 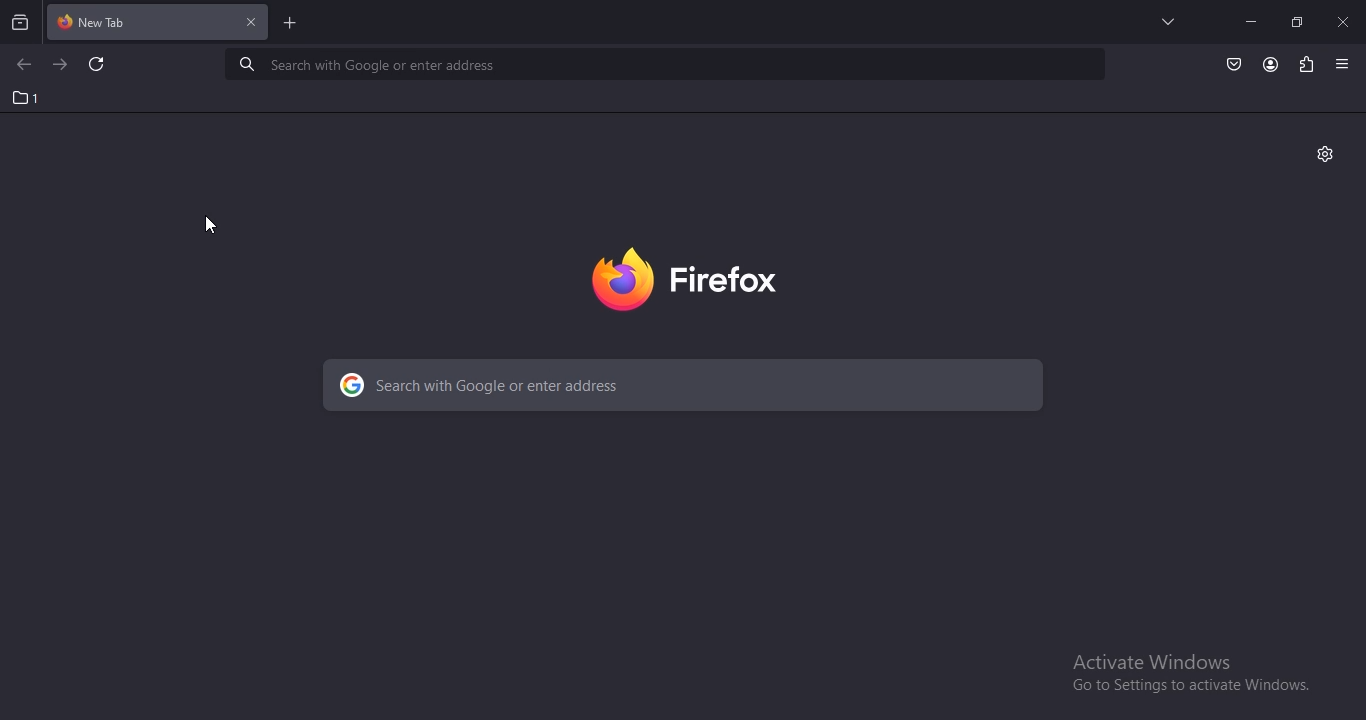 I want to click on search tabs, so click(x=21, y=22).